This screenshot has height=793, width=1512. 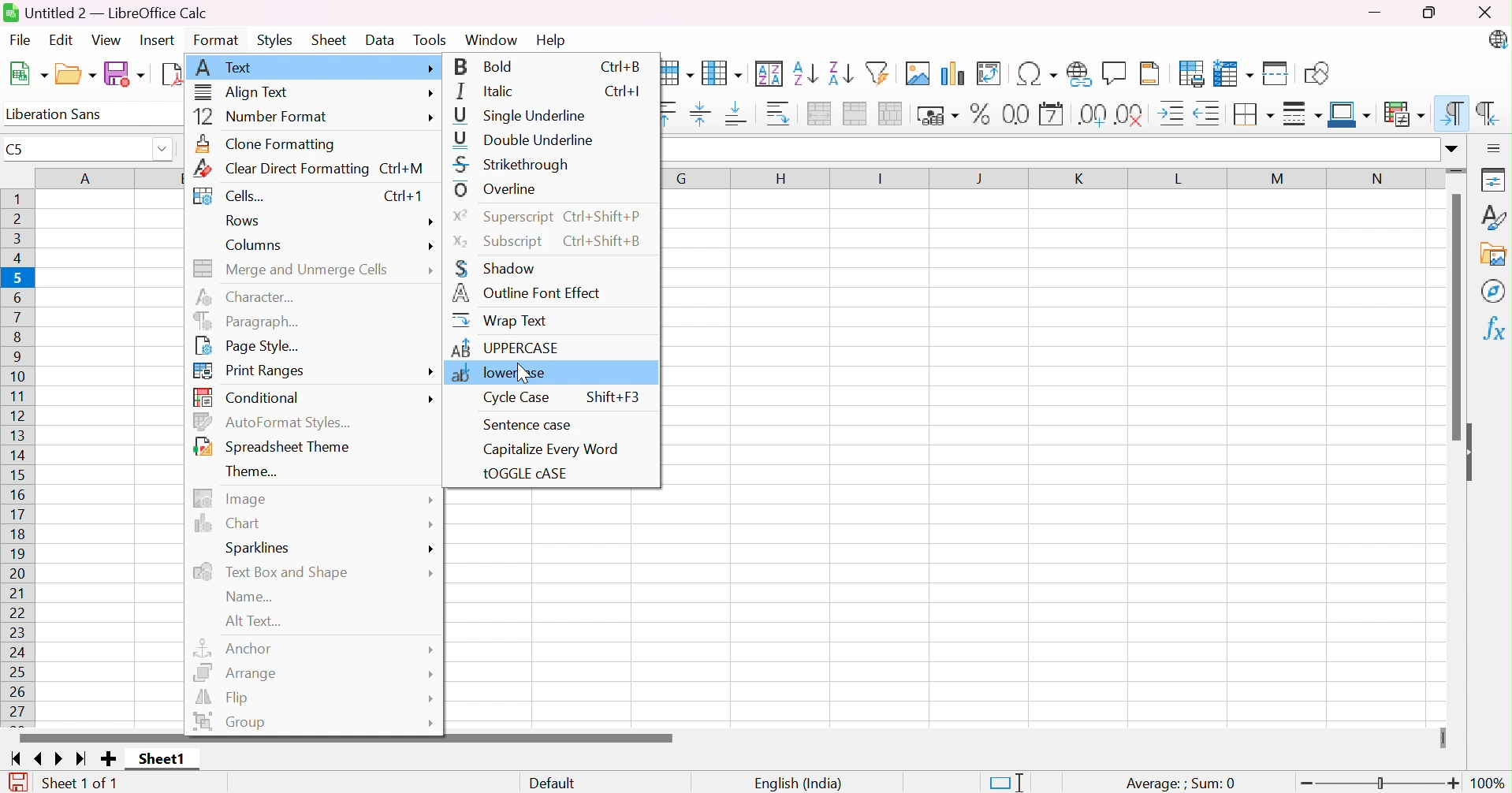 What do you see at coordinates (553, 784) in the screenshot?
I see `Default` at bounding box center [553, 784].